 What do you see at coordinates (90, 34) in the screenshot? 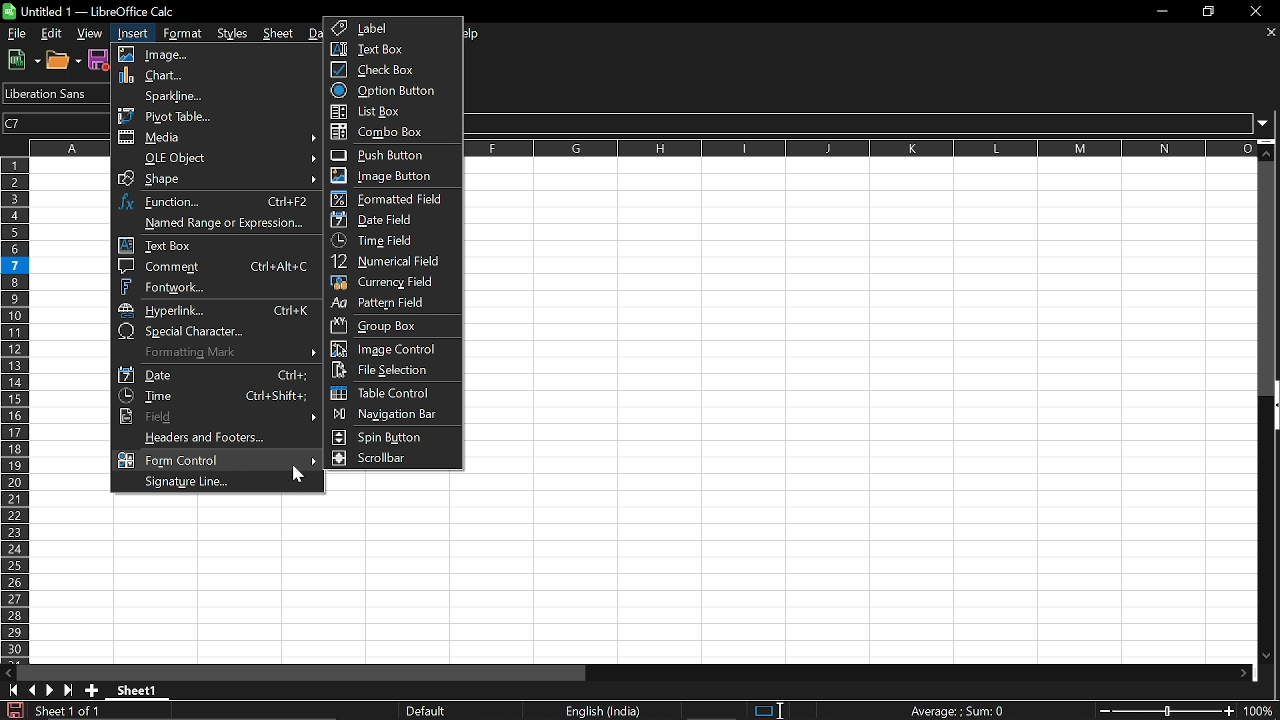
I see `View` at bounding box center [90, 34].